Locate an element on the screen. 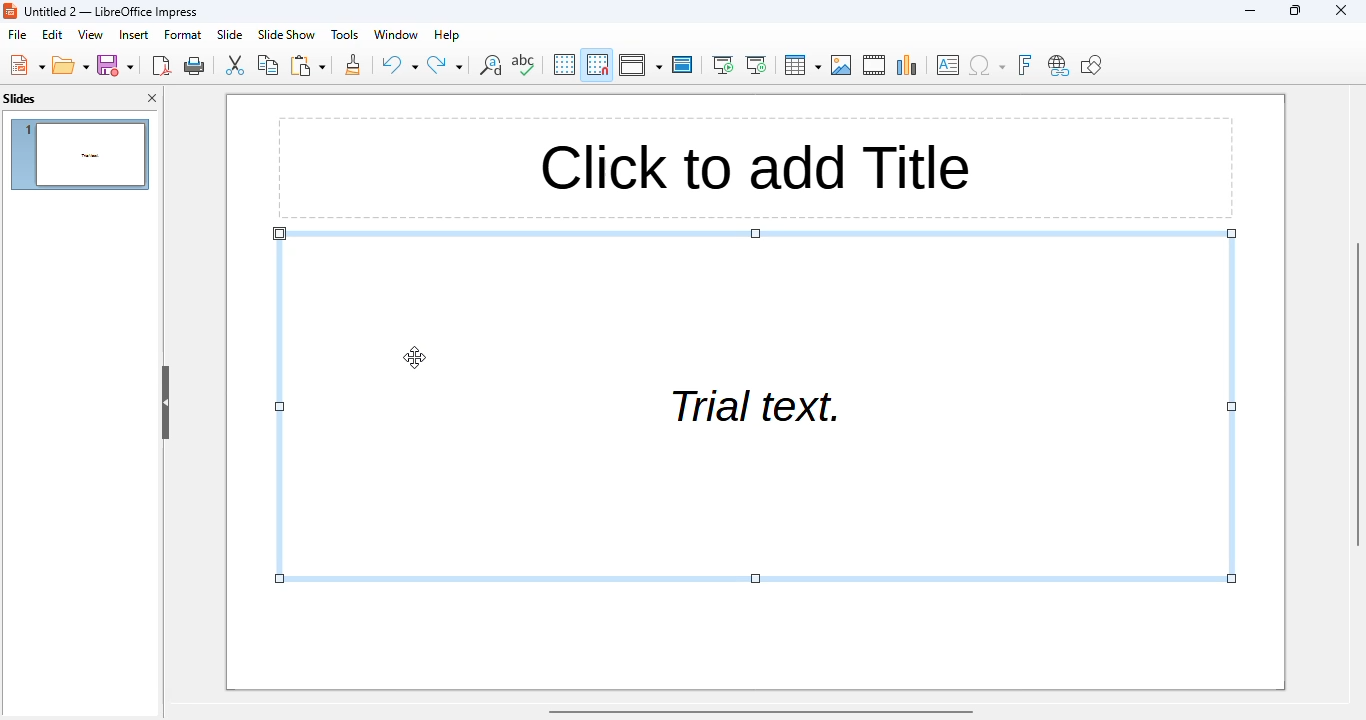 This screenshot has height=720, width=1366. table is located at coordinates (802, 64).